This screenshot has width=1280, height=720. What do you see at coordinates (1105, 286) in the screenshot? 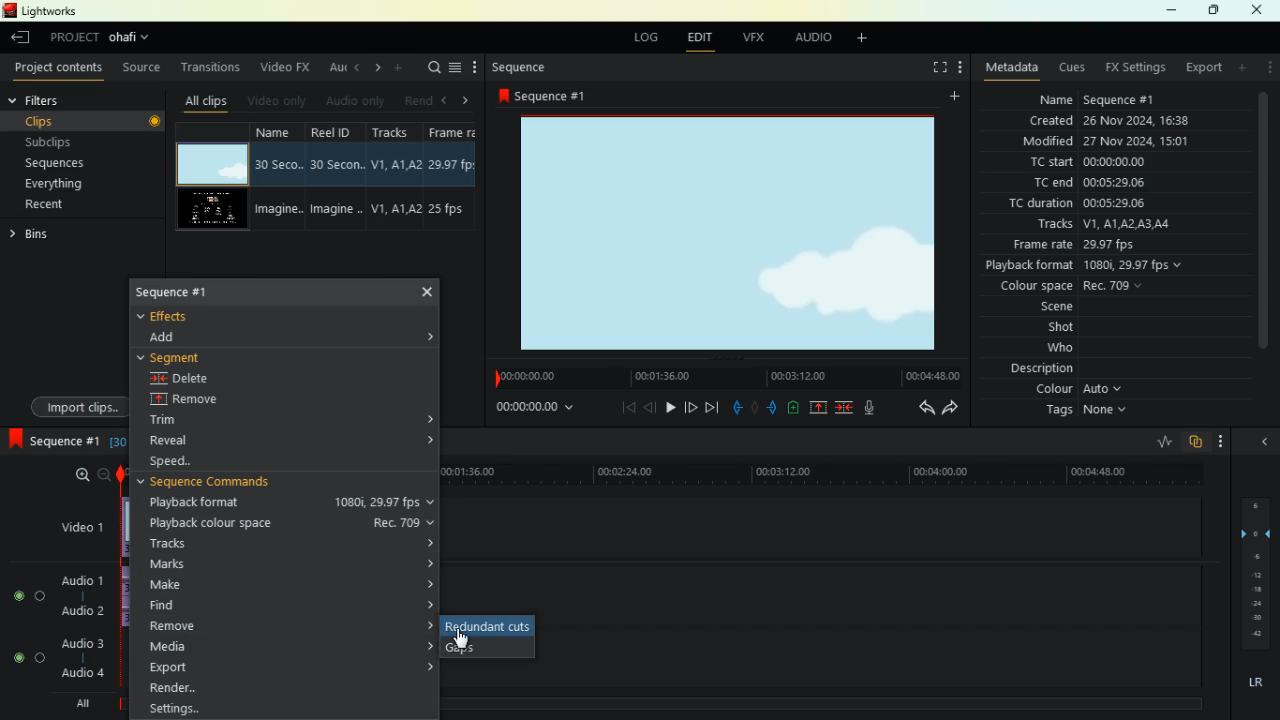
I see `colour space` at bounding box center [1105, 286].